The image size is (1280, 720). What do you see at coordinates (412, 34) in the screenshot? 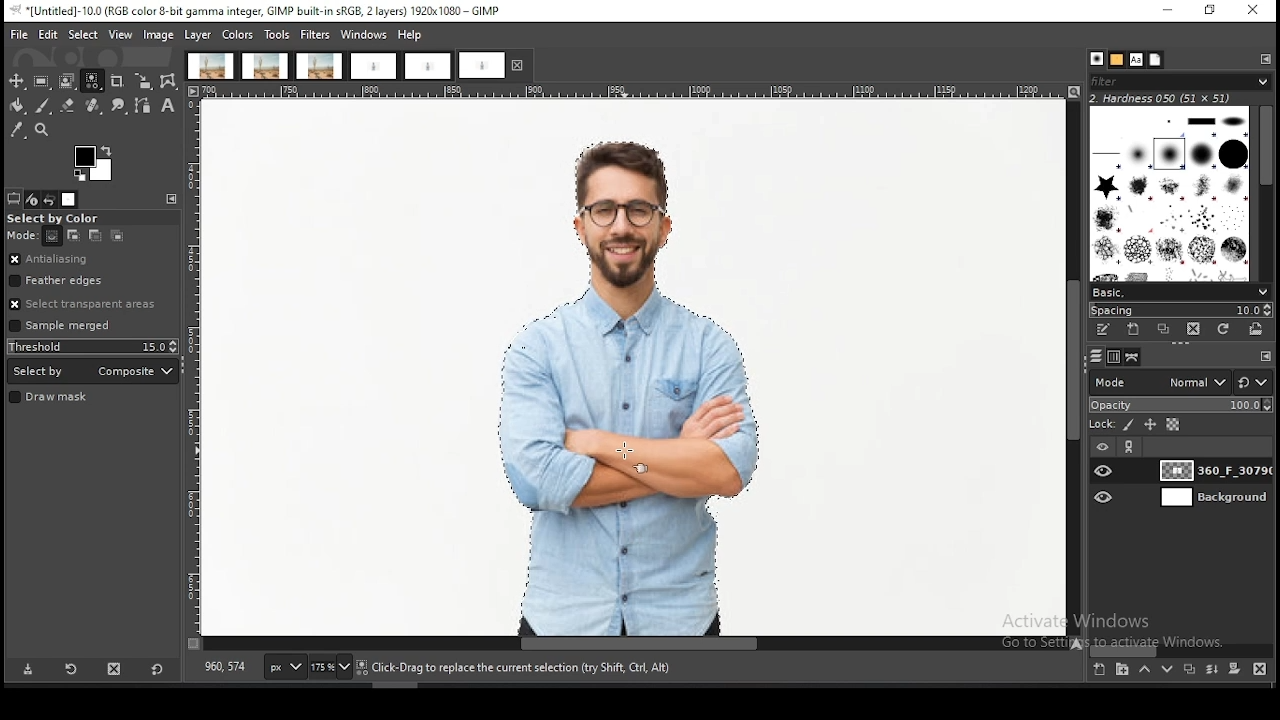
I see `help` at bounding box center [412, 34].